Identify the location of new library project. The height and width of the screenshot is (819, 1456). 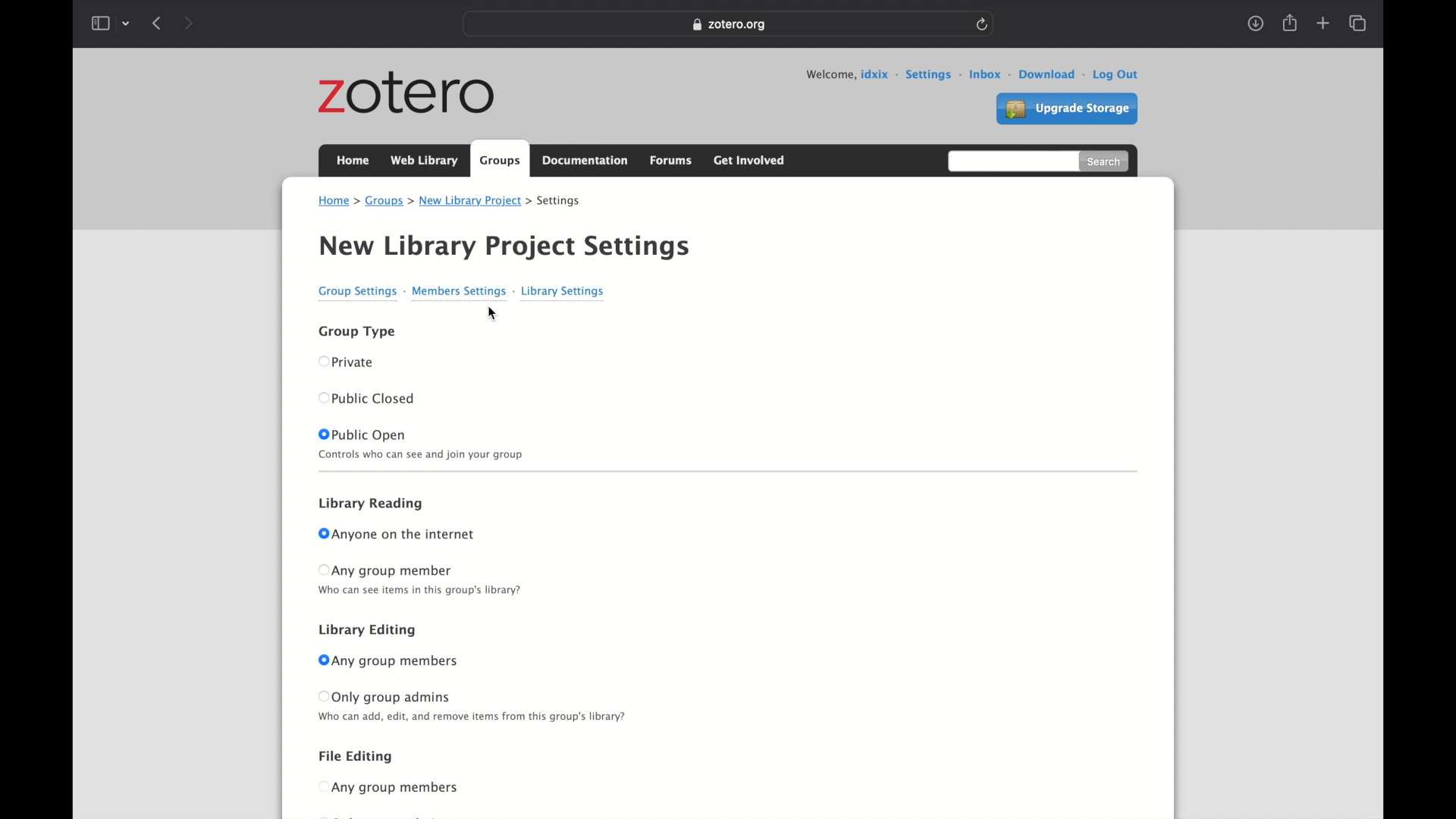
(475, 201).